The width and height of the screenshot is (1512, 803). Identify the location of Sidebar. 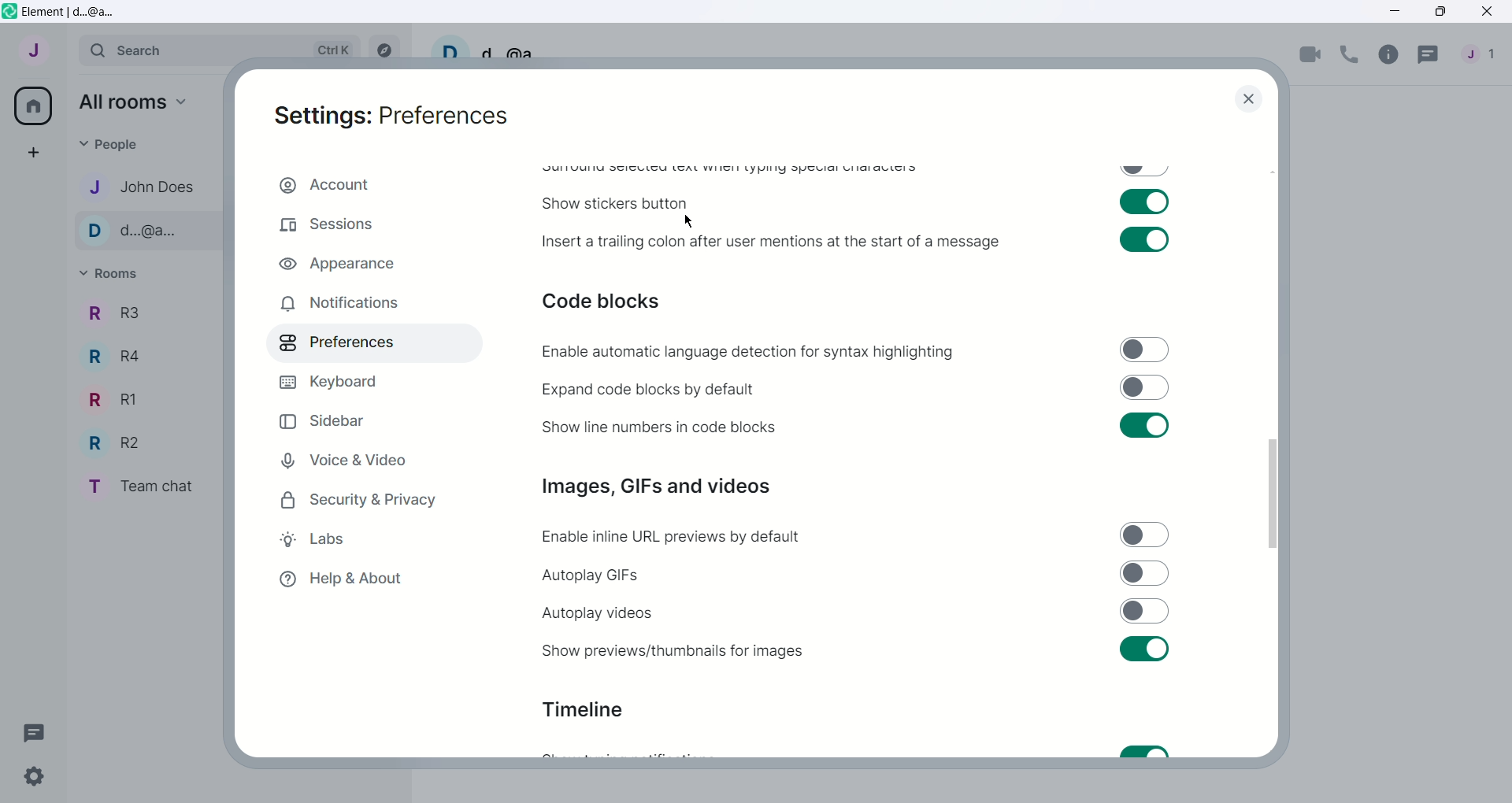
(349, 420).